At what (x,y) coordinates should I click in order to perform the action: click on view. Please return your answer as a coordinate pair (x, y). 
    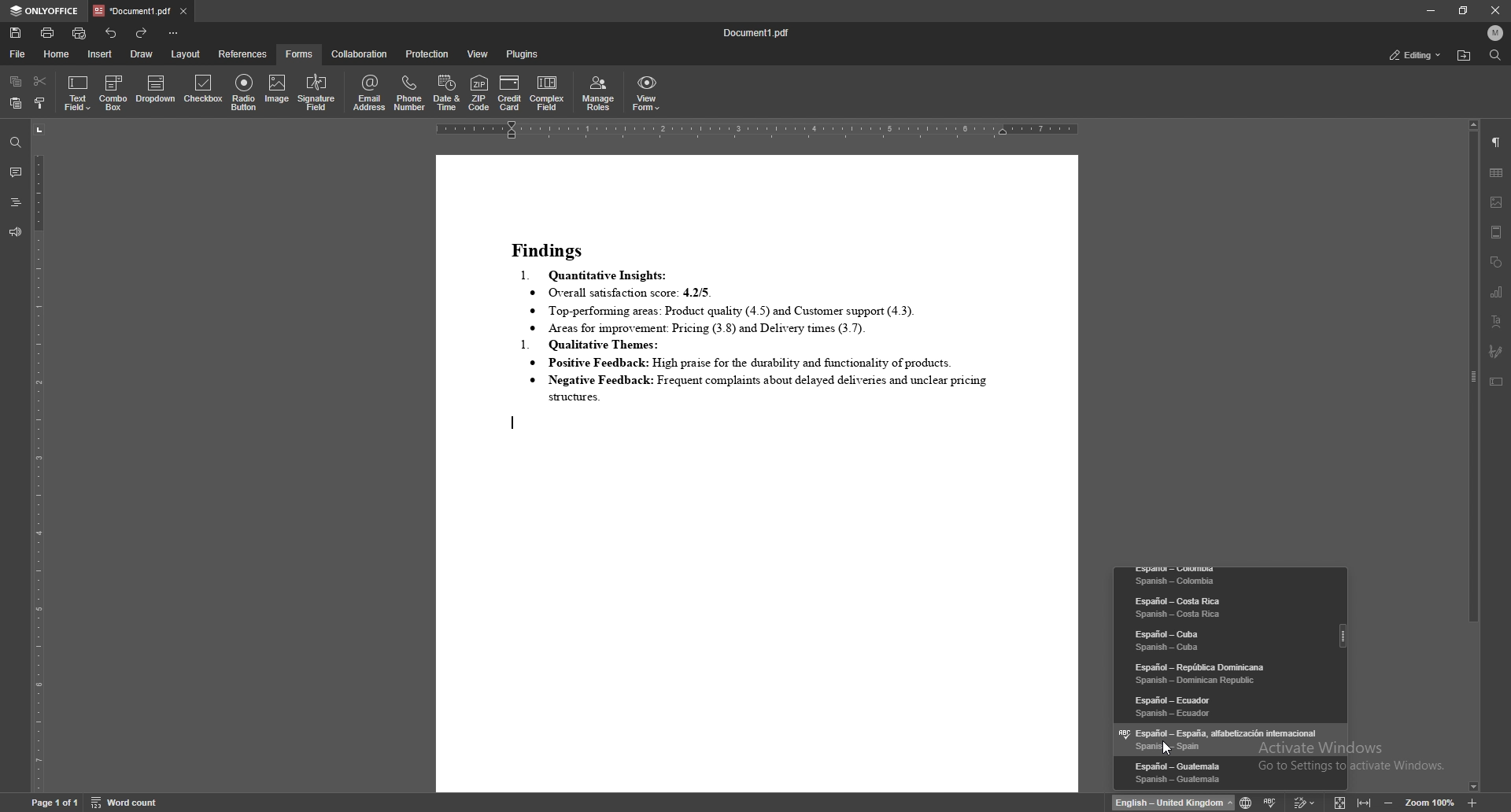
    Looking at the image, I should click on (478, 54).